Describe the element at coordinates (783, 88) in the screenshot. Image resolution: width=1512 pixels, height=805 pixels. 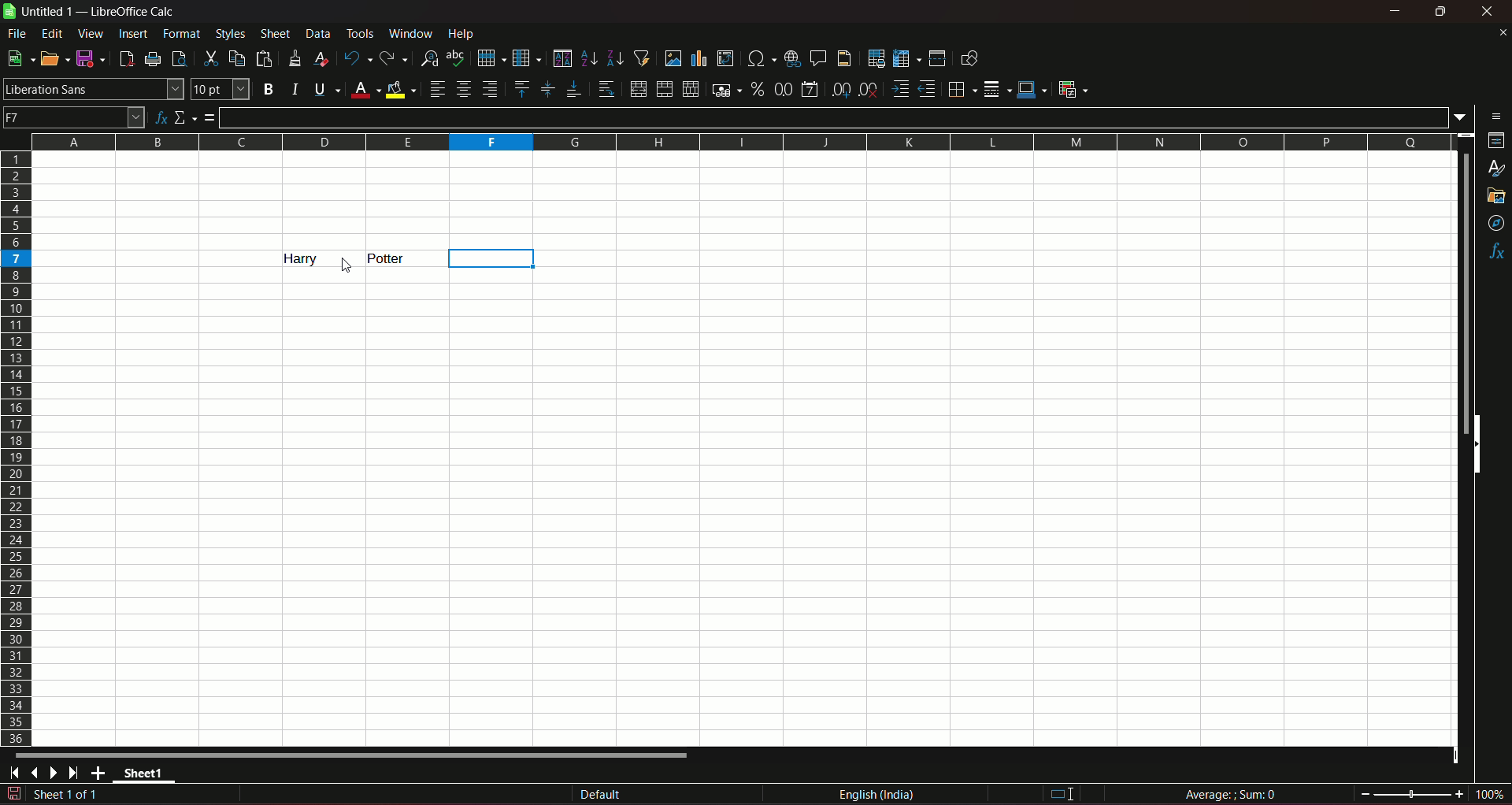
I see `format as number` at that location.